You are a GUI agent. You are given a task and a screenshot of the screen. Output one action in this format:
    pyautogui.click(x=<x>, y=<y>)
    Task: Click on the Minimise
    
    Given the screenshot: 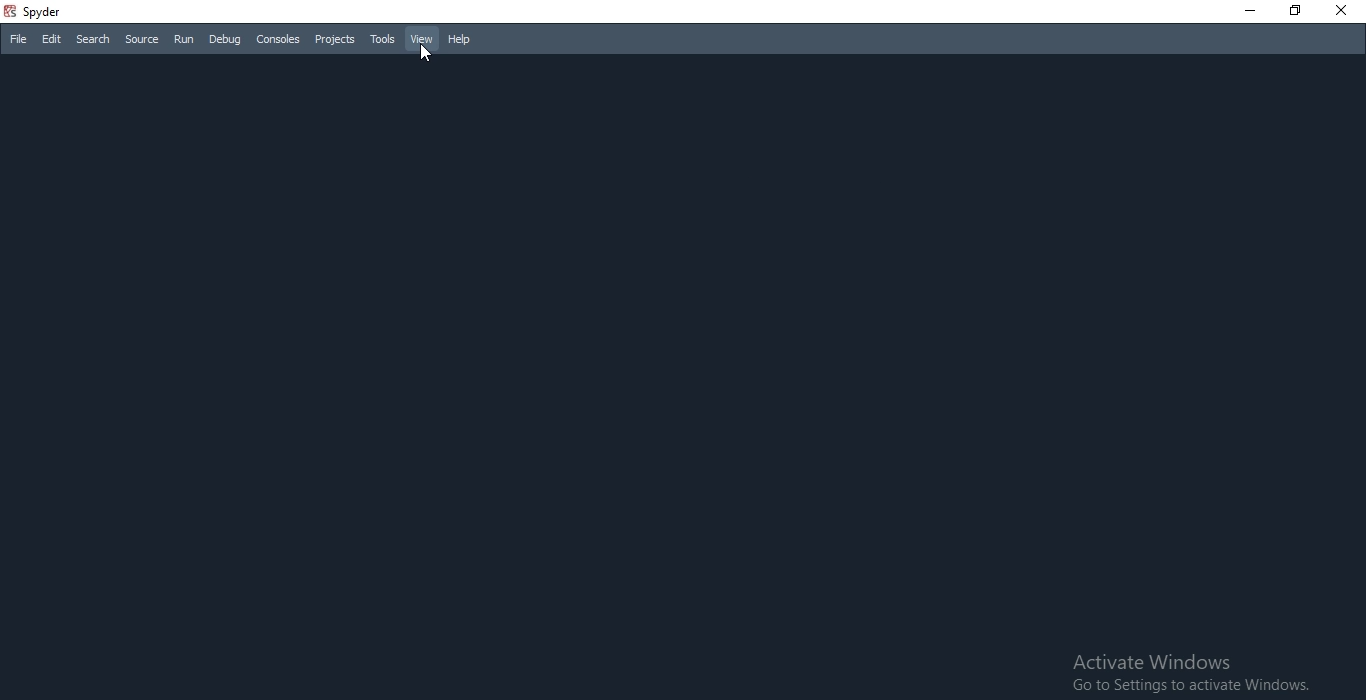 What is the action you would take?
    pyautogui.click(x=1243, y=12)
    